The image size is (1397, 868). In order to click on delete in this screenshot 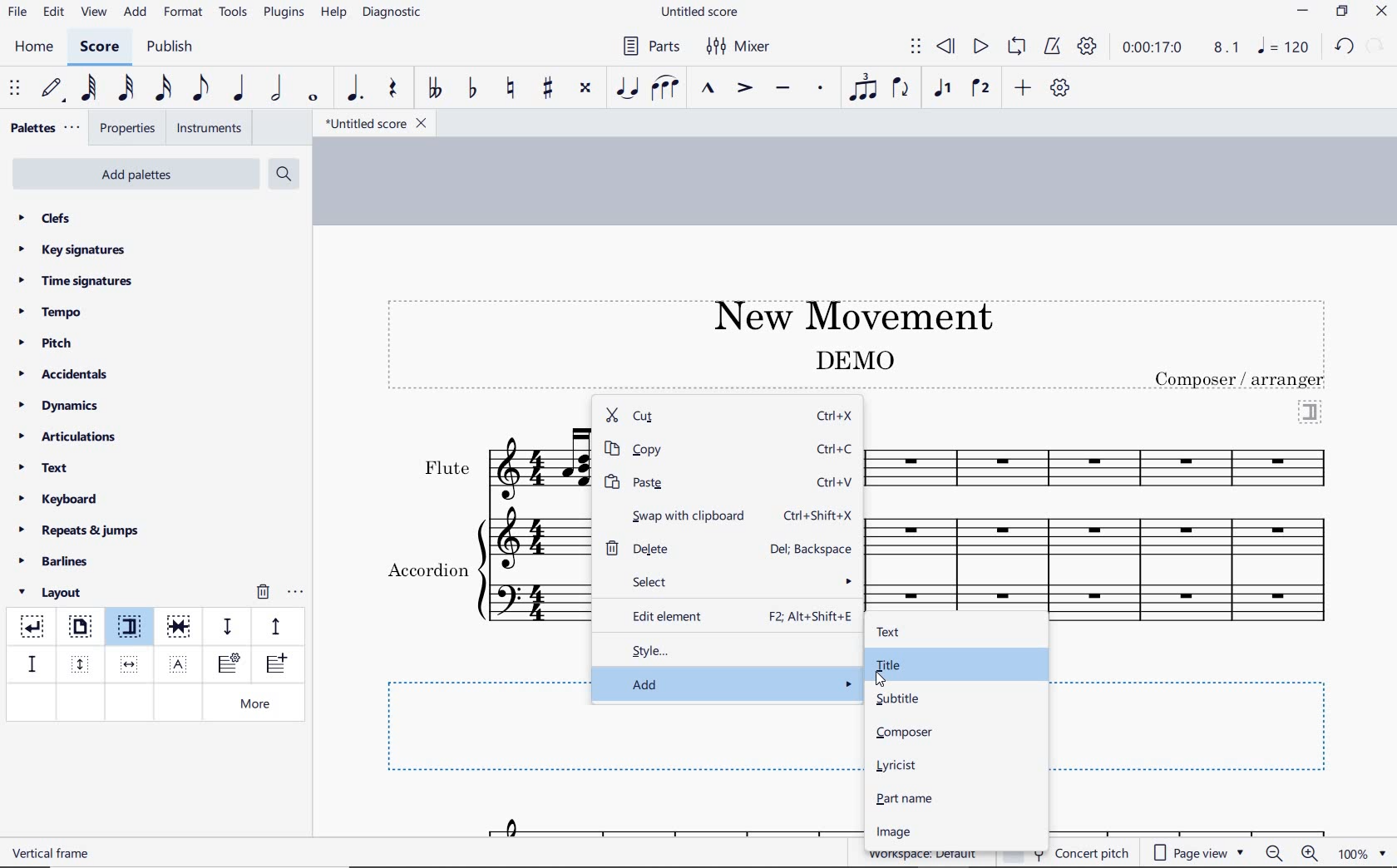, I will do `click(662, 547)`.